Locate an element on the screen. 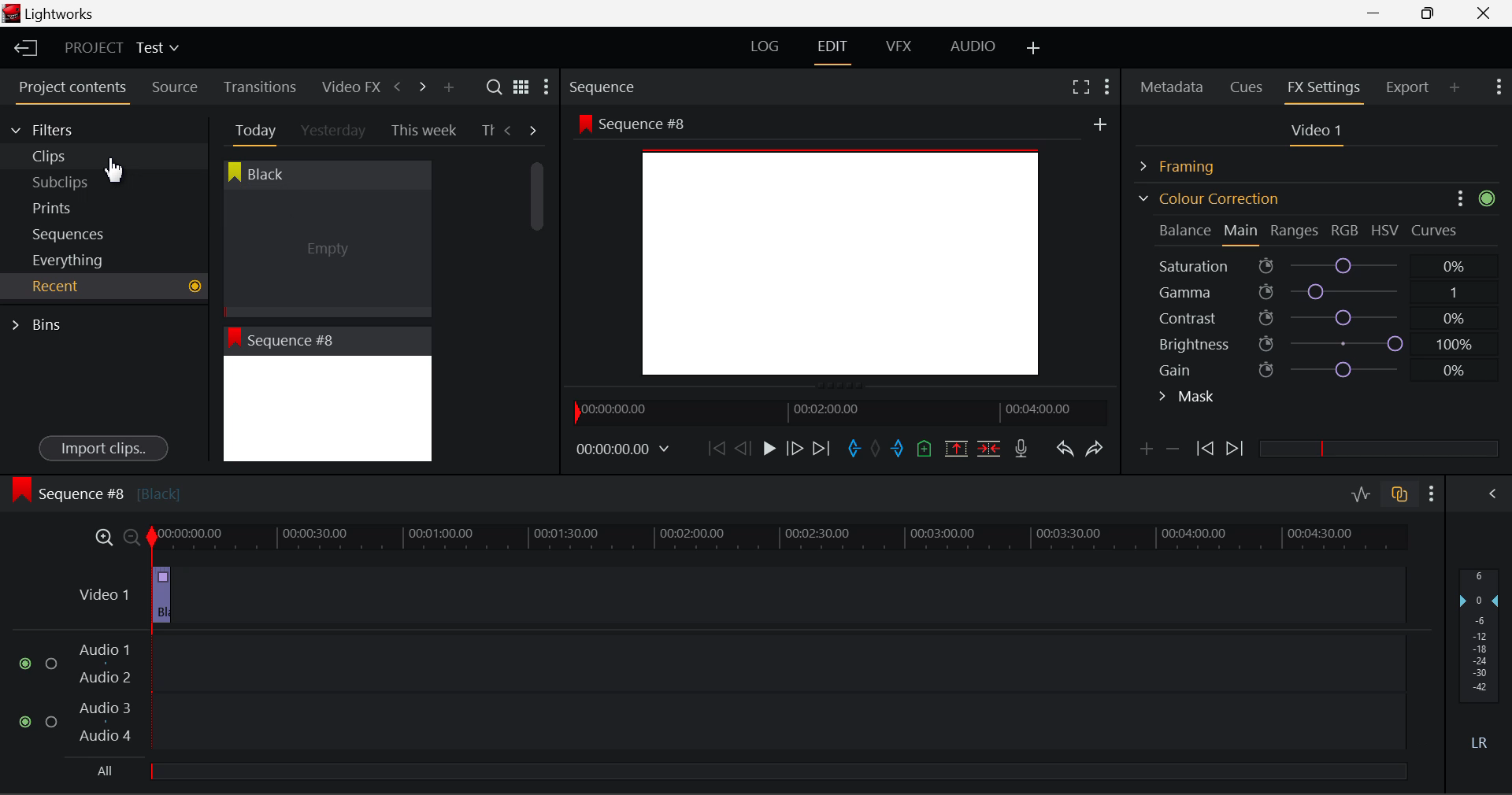 The height and width of the screenshot is (795, 1512). Yesterday Tab is located at coordinates (335, 131).